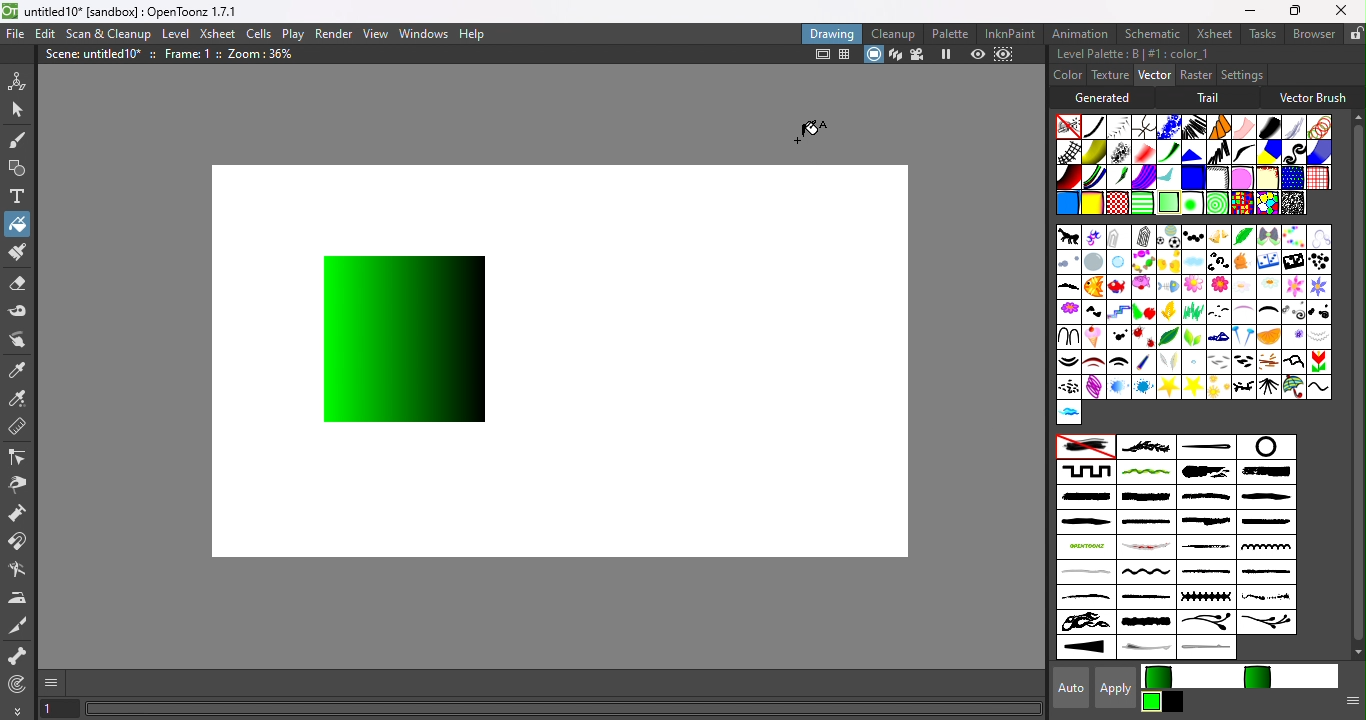 This screenshot has width=1366, height=720. What do you see at coordinates (1145, 498) in the screenshot?
I see `large_brush4` at bounding box center [1145, 498].